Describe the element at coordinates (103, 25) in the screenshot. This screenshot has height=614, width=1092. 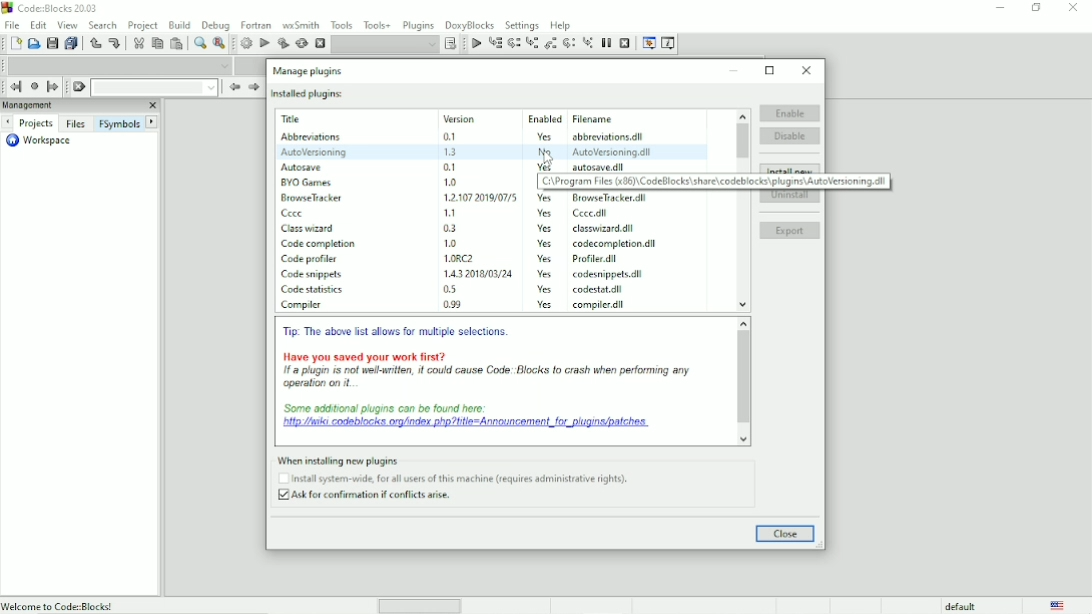
I see `Search` at that location.